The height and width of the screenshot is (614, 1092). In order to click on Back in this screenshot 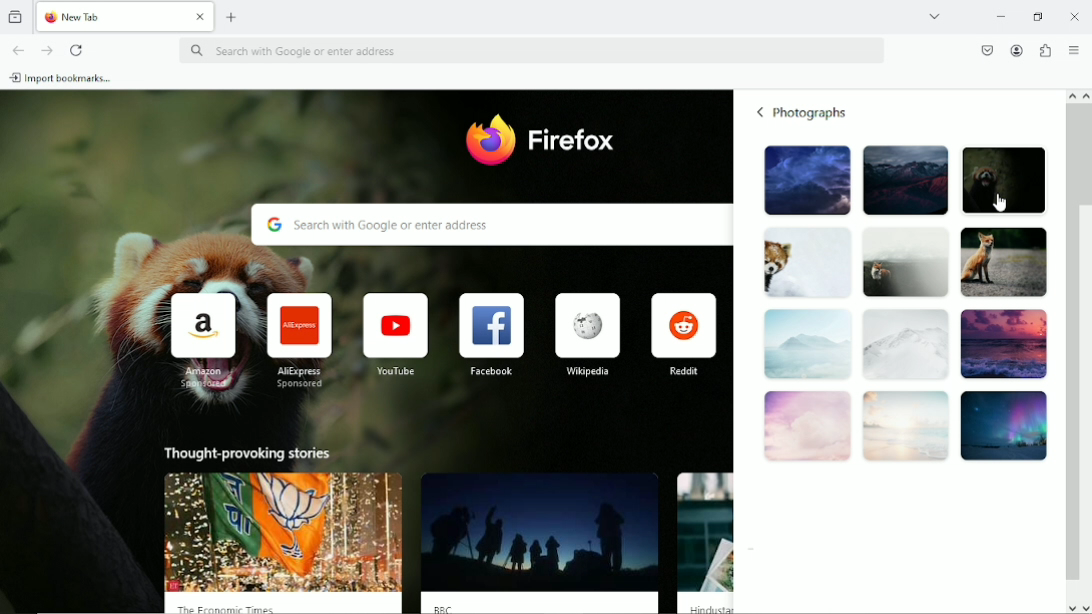, I will do `click(760, 112)`.